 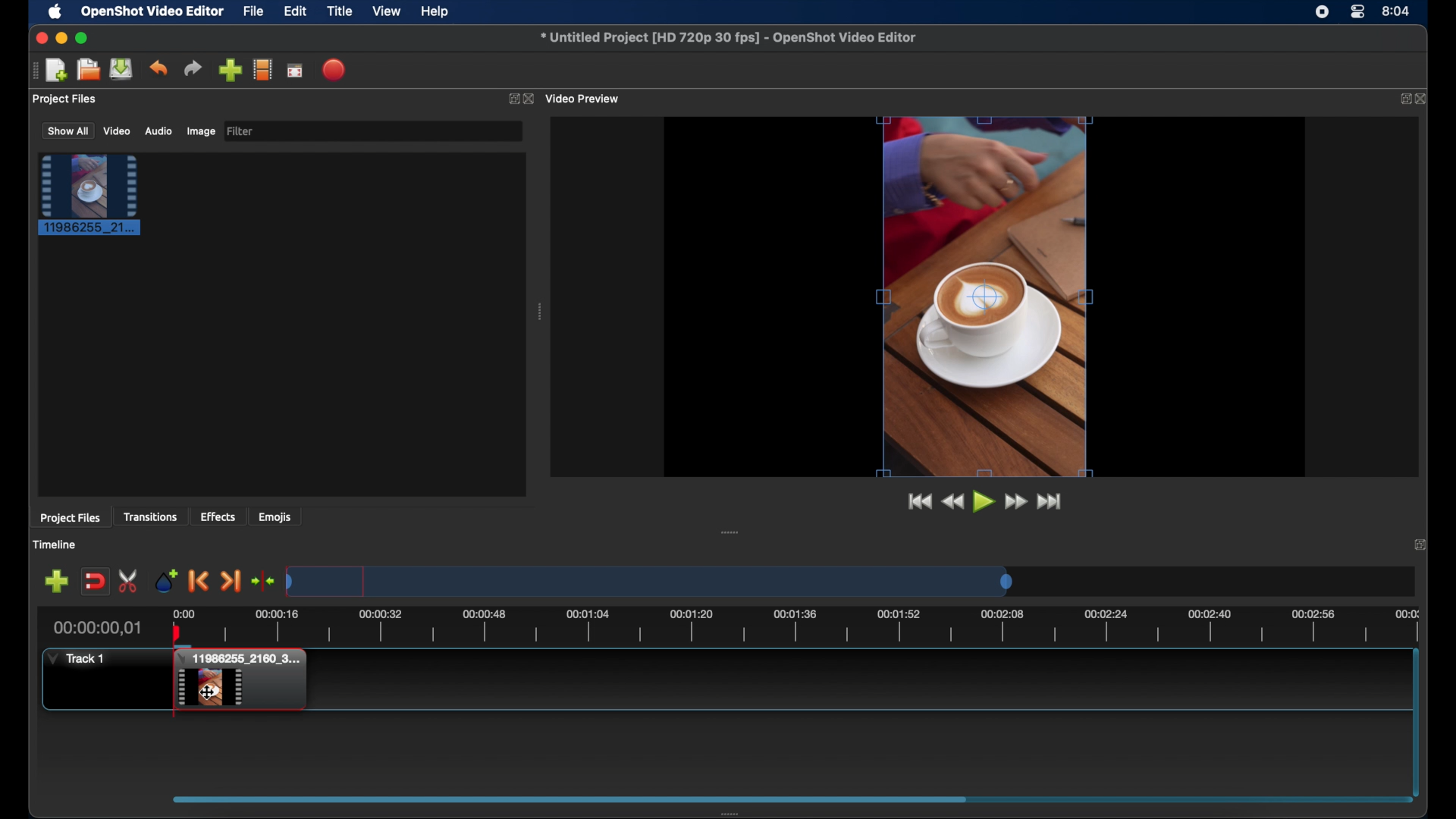 What do you see at coordinates (32, 71) in the screenshot?
I see `drag handle` at bounding box center [32, 71].